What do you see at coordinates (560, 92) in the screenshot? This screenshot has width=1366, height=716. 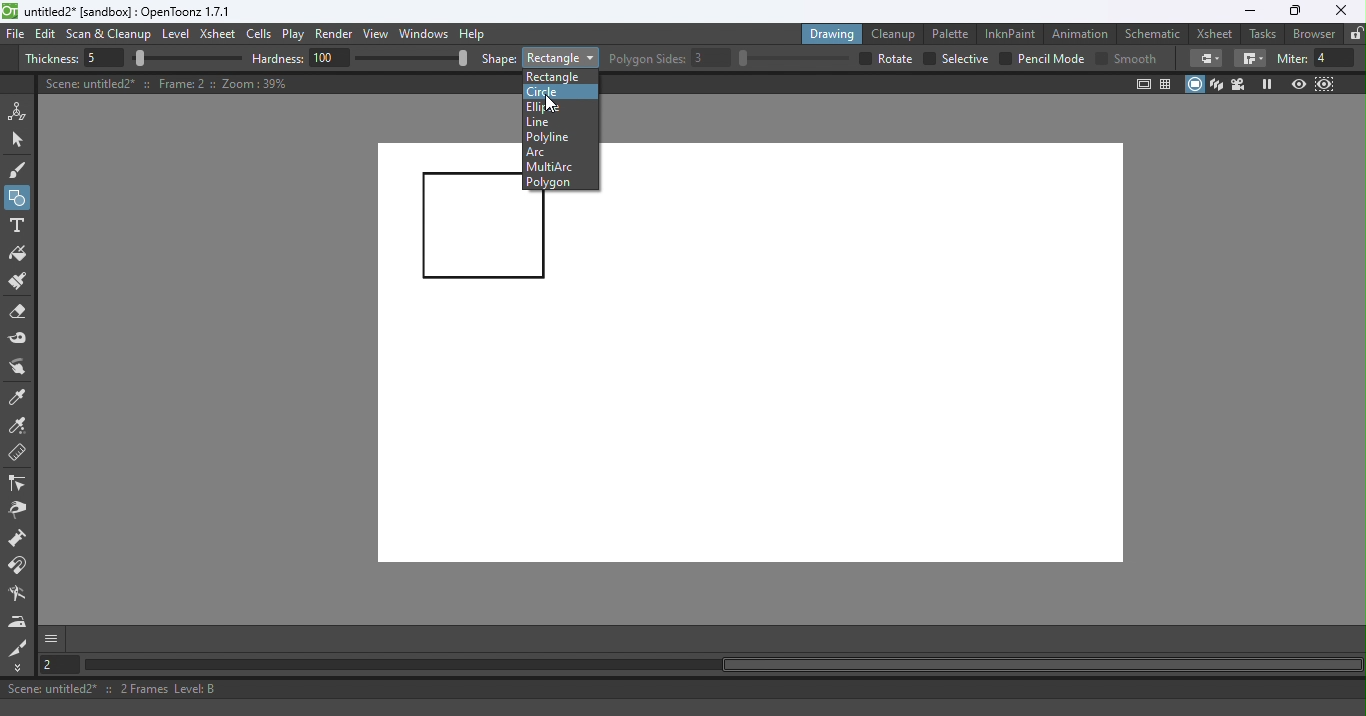 I see `Circle` at bounding box center [560, 92].